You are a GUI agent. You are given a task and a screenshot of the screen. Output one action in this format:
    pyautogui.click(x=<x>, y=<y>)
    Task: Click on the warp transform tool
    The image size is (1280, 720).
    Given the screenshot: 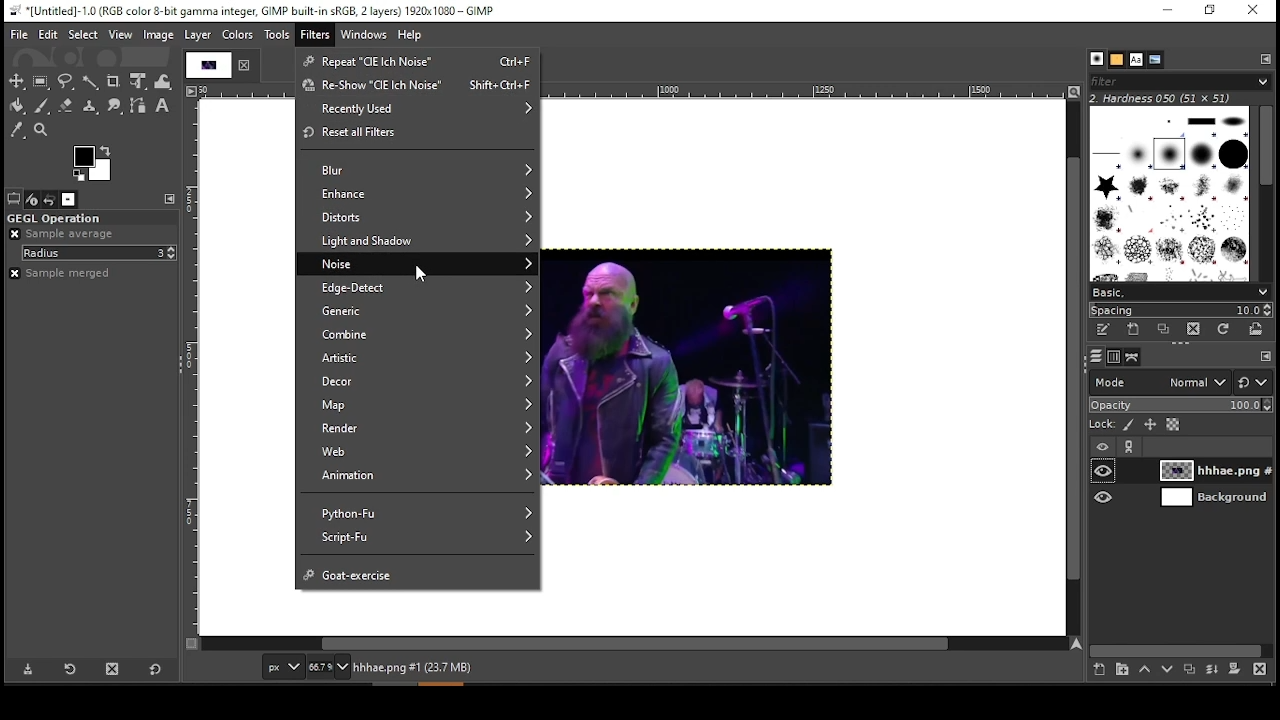 What is the action you would take?
    pyautogui.click(x=163, y=80)
    